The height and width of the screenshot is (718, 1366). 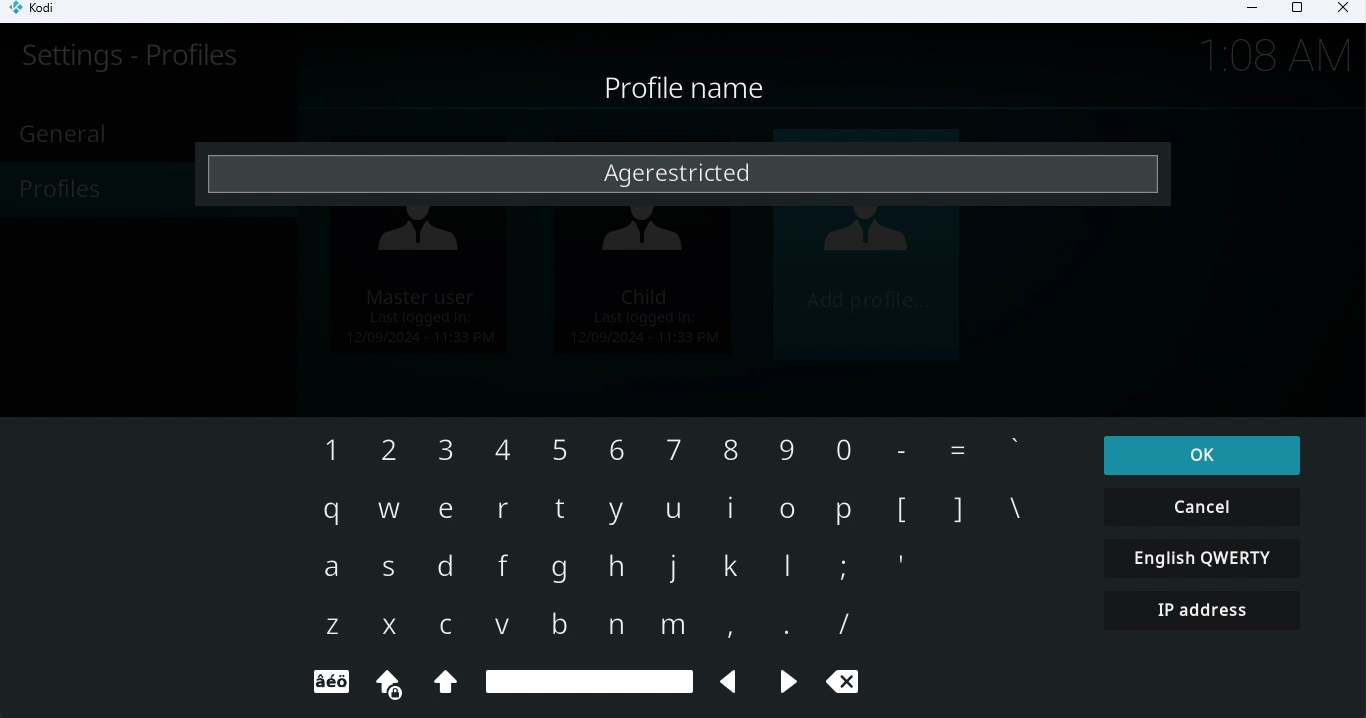 What do you see at coordinates (1205, 617) in the screenshot?
I see `IP address` at bounding box center [1205, 617].